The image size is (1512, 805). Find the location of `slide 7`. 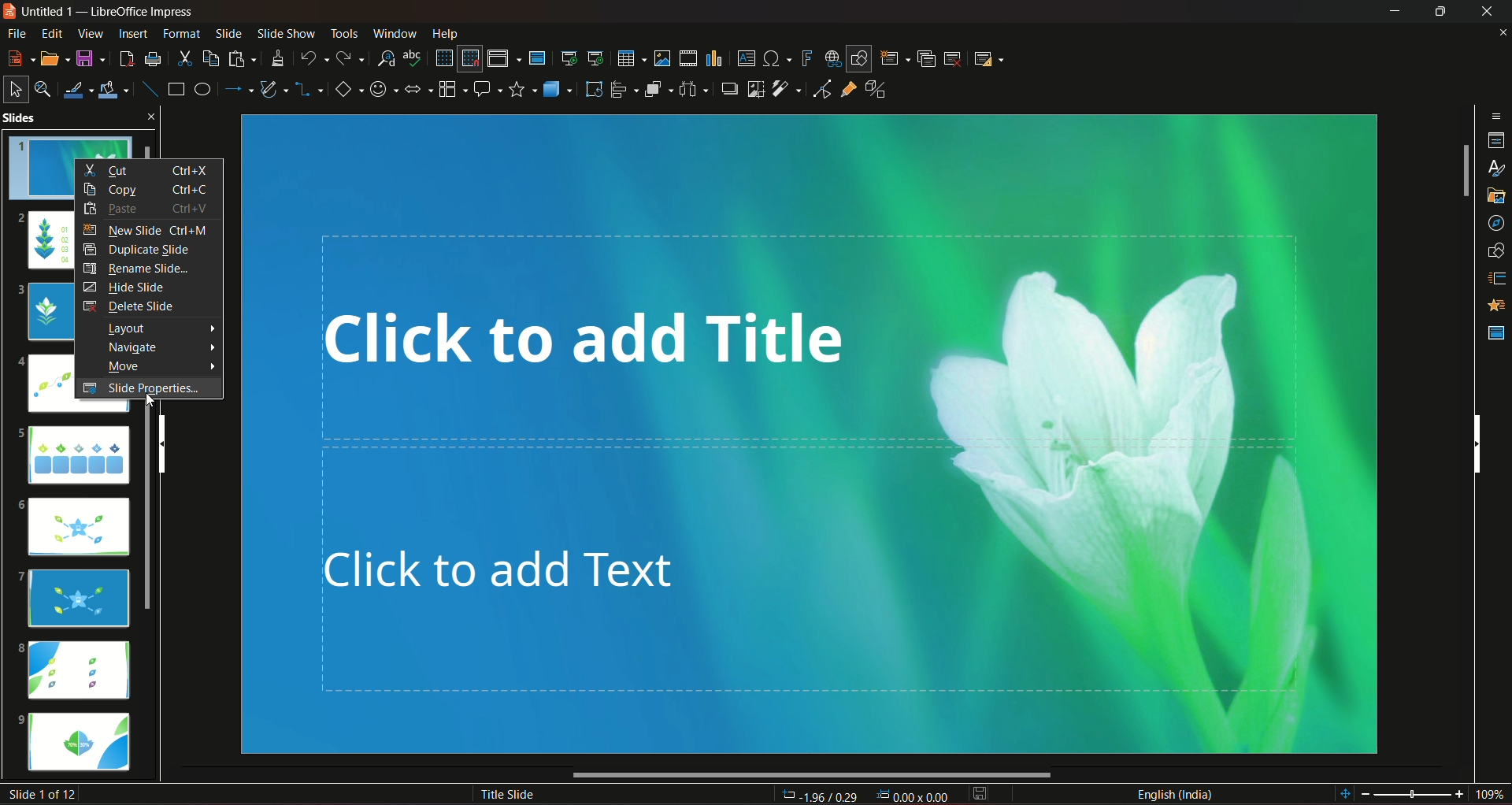

slide 7 is located at coordinates (77, 597).